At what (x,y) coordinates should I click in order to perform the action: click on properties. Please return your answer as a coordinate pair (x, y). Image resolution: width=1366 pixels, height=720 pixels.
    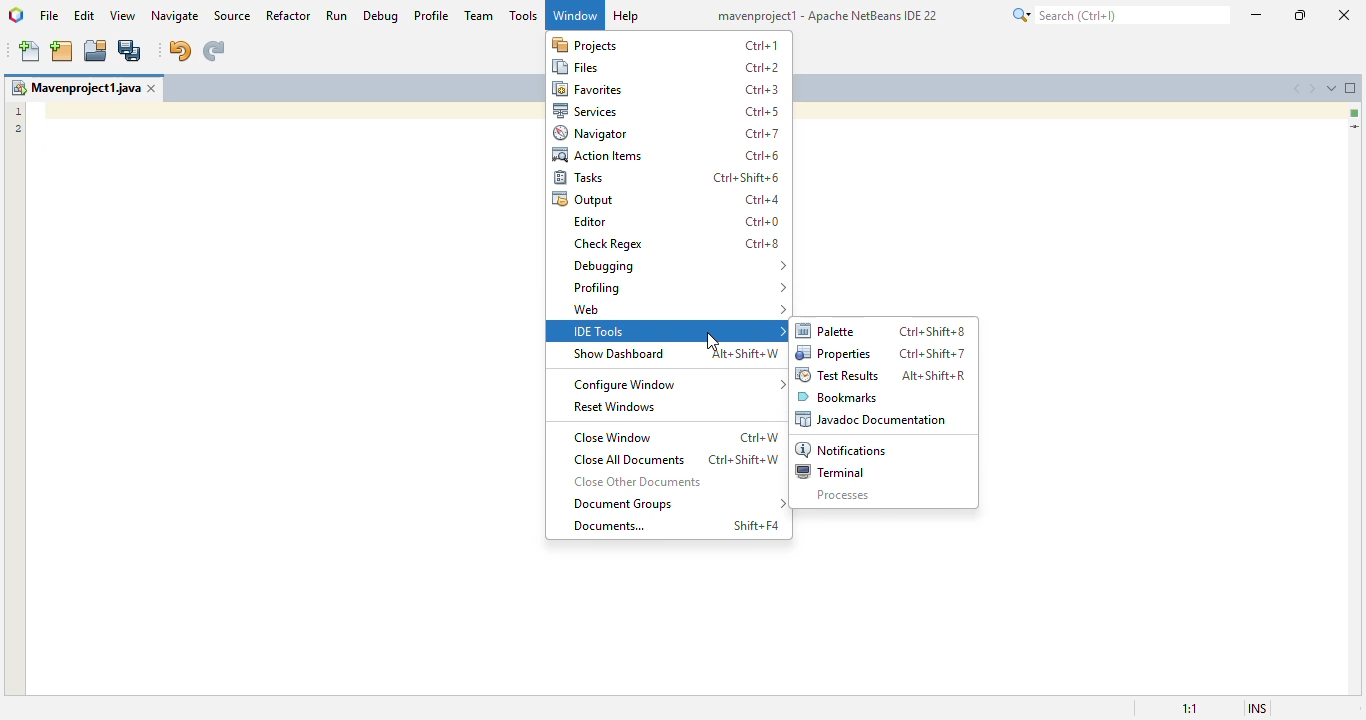
    Looking at the image, I should click on (833, 353).